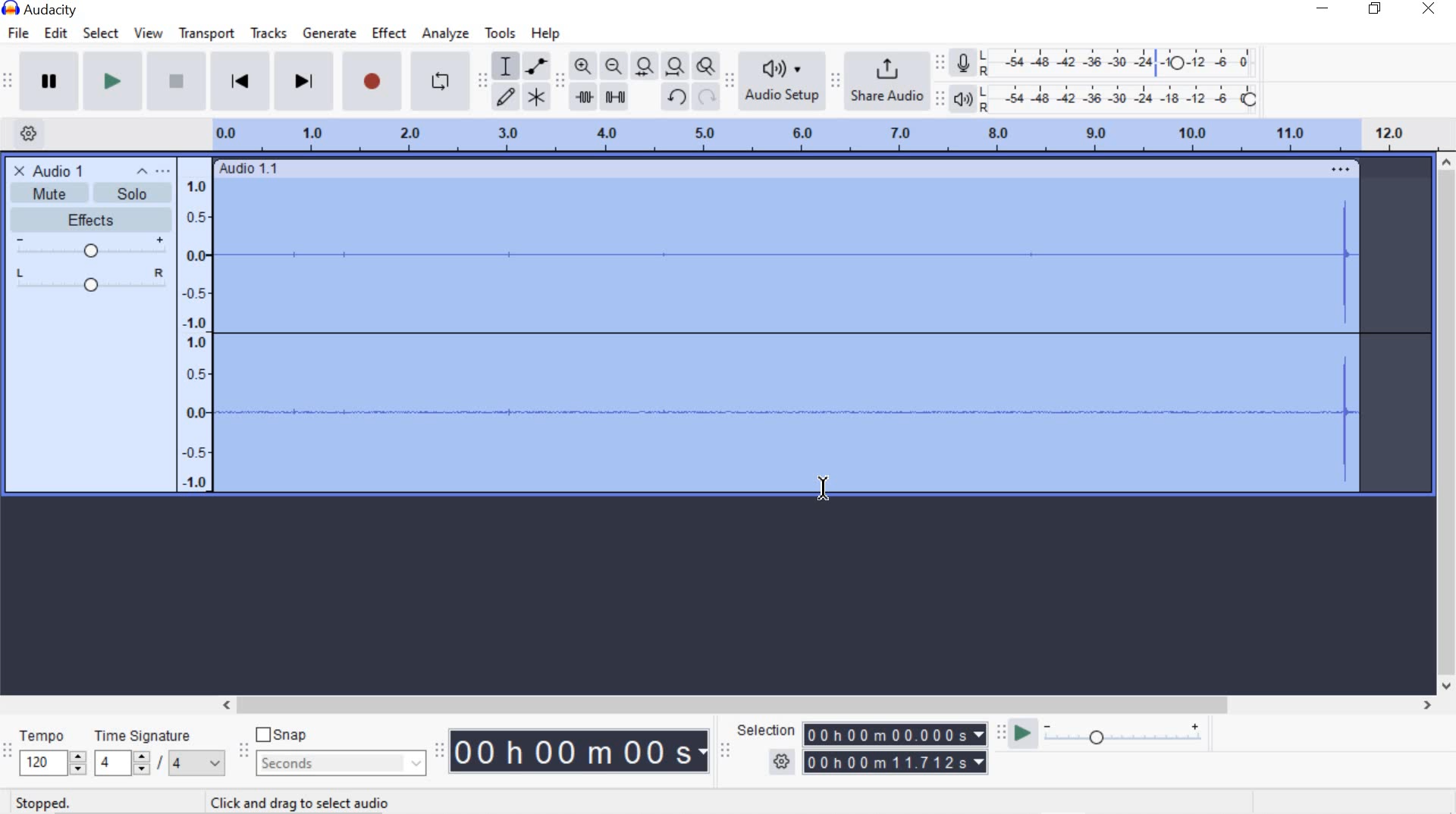 Image resolution: width=1456 pixels, height=814 pixels. Describe the element at coordinates (197, 324) in the screenshot. I see `Menu` at that location.